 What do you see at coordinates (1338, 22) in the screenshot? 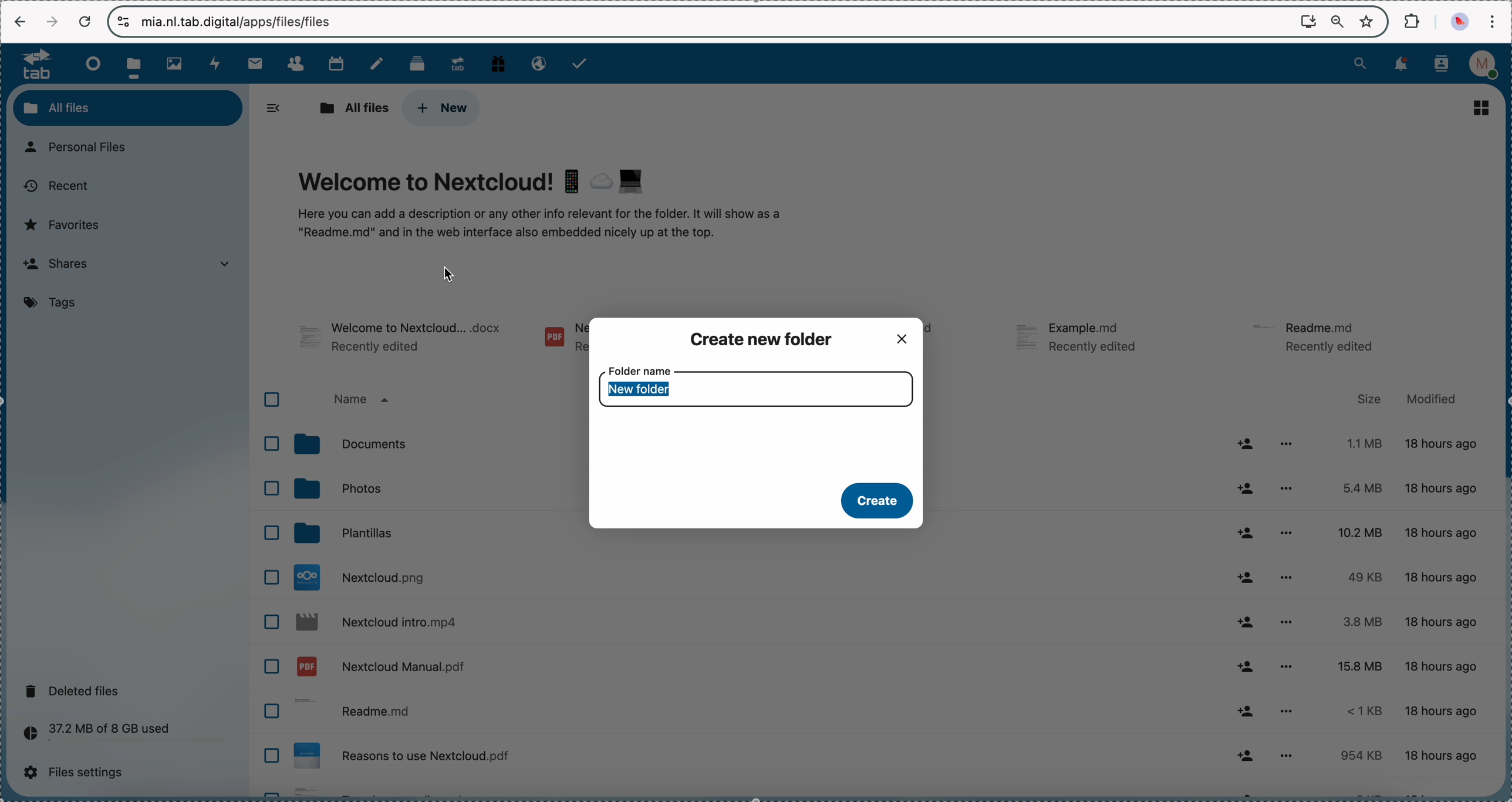
I see `zoom out` at bounding box center [1338, 22].